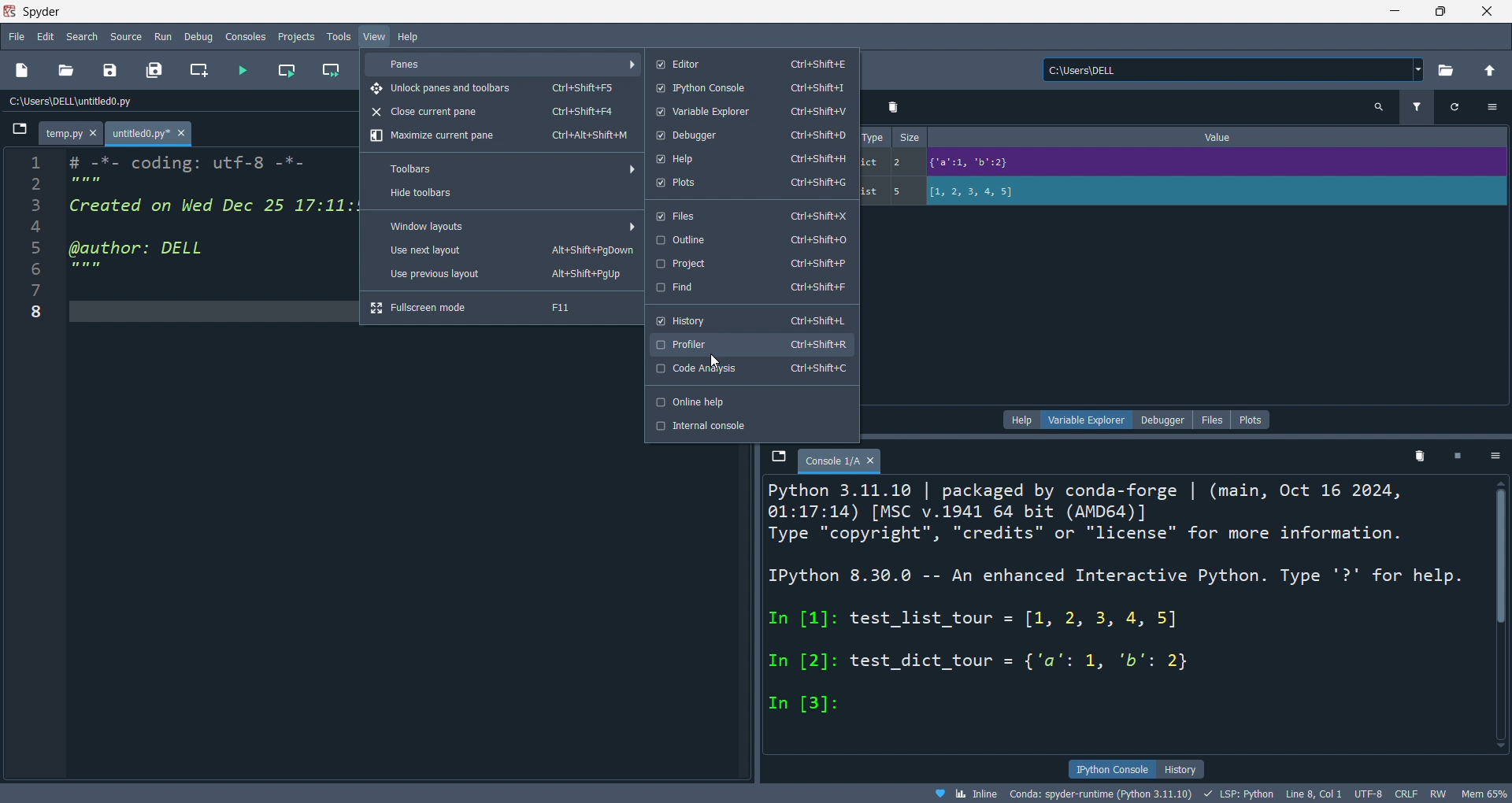 This screenshot has width=1512, height=803. I want to click on ipython console, so click(1114, 770).